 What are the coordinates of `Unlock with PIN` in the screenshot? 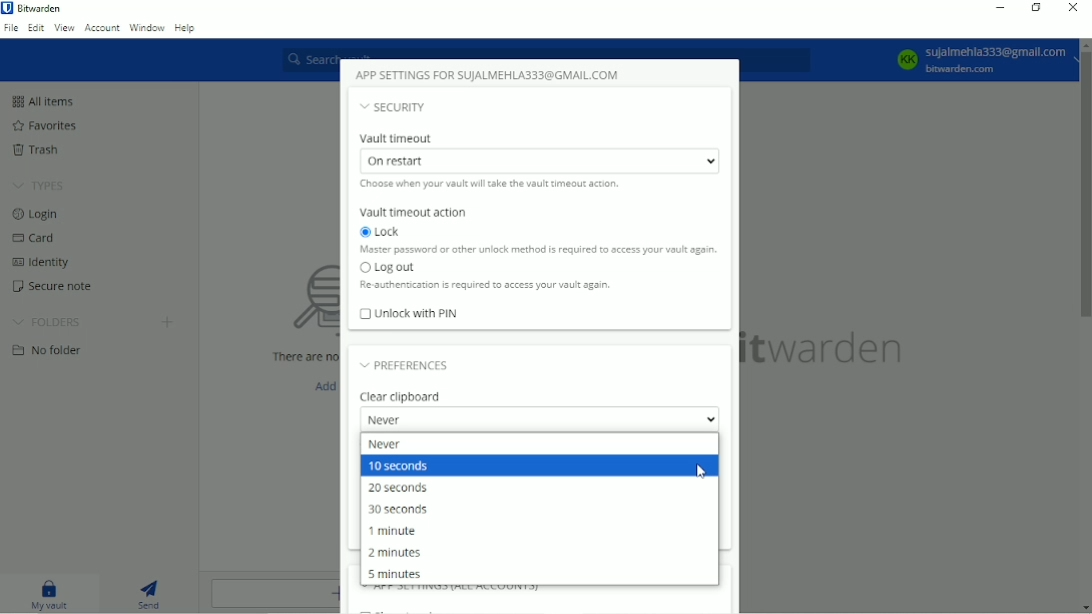 It's located at (410, 316).